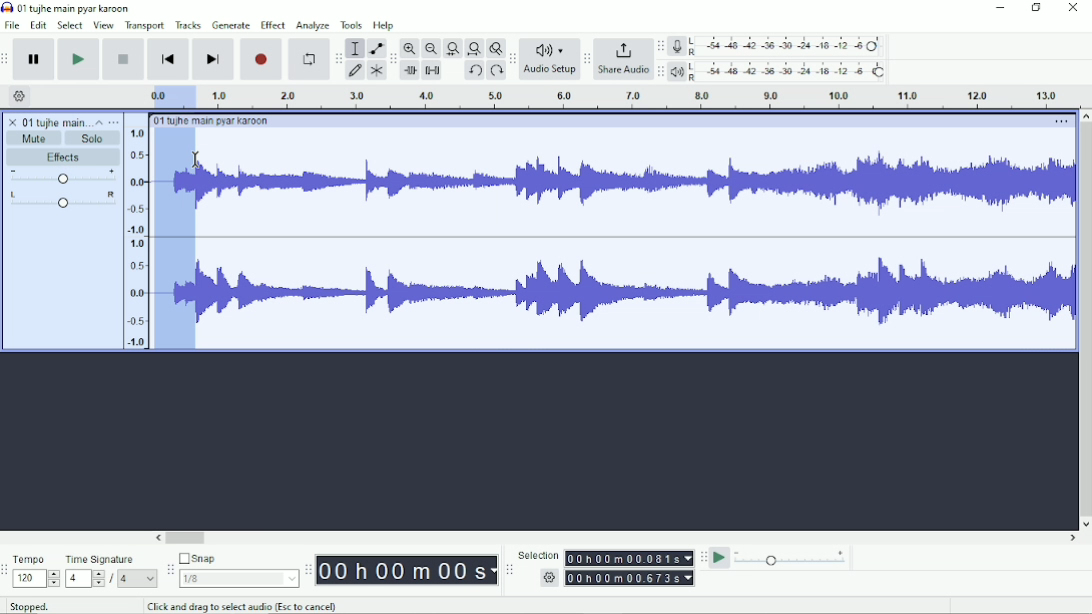 The image size is (1092, 614). I want to click on Audio Waves, so click(637, 293).